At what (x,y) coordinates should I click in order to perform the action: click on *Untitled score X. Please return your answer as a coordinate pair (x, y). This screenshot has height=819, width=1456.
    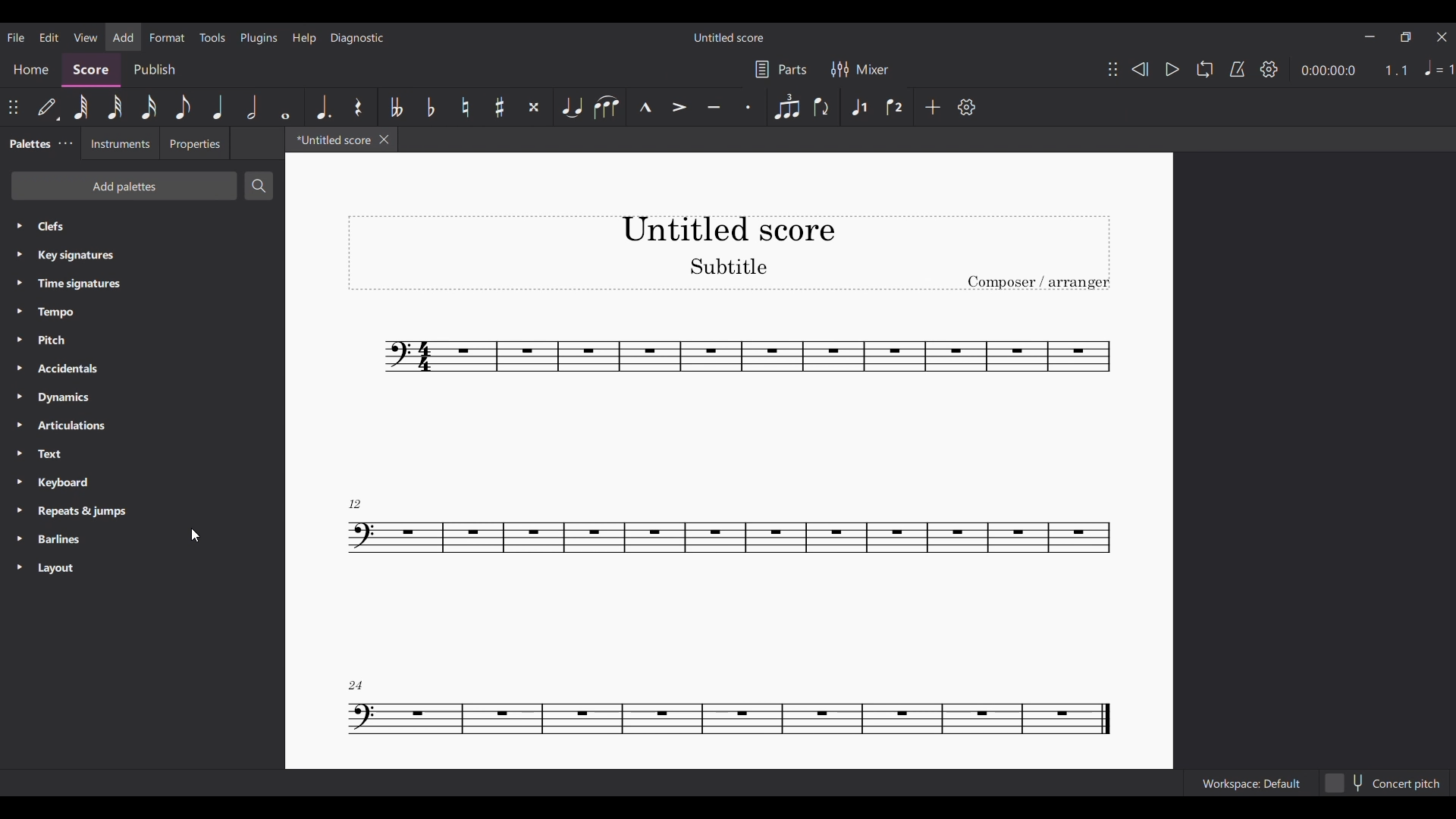
    Looking at the image, I should click on (331, 141).